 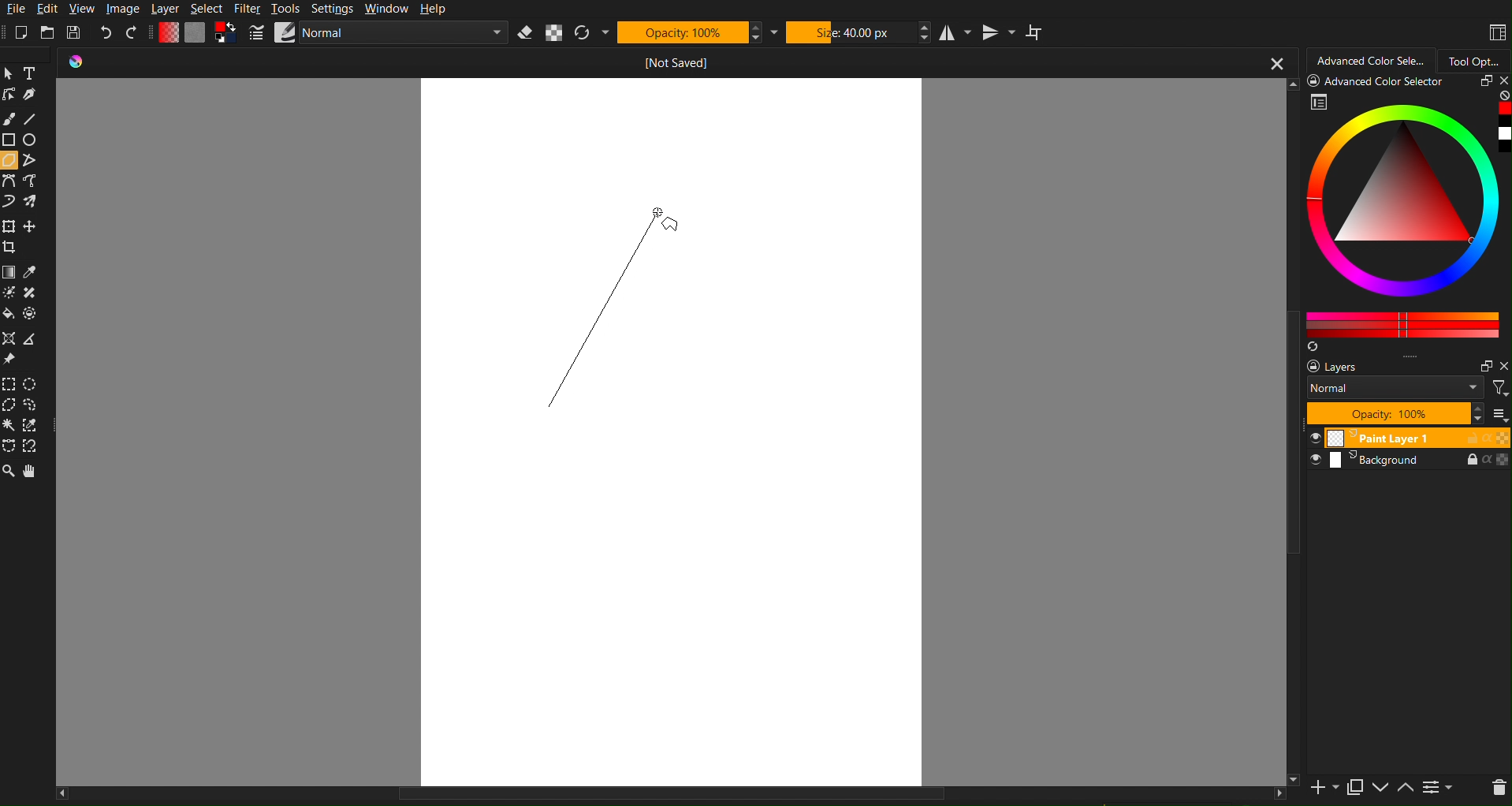 I want to click on Layer, so click(x=165, y=10).